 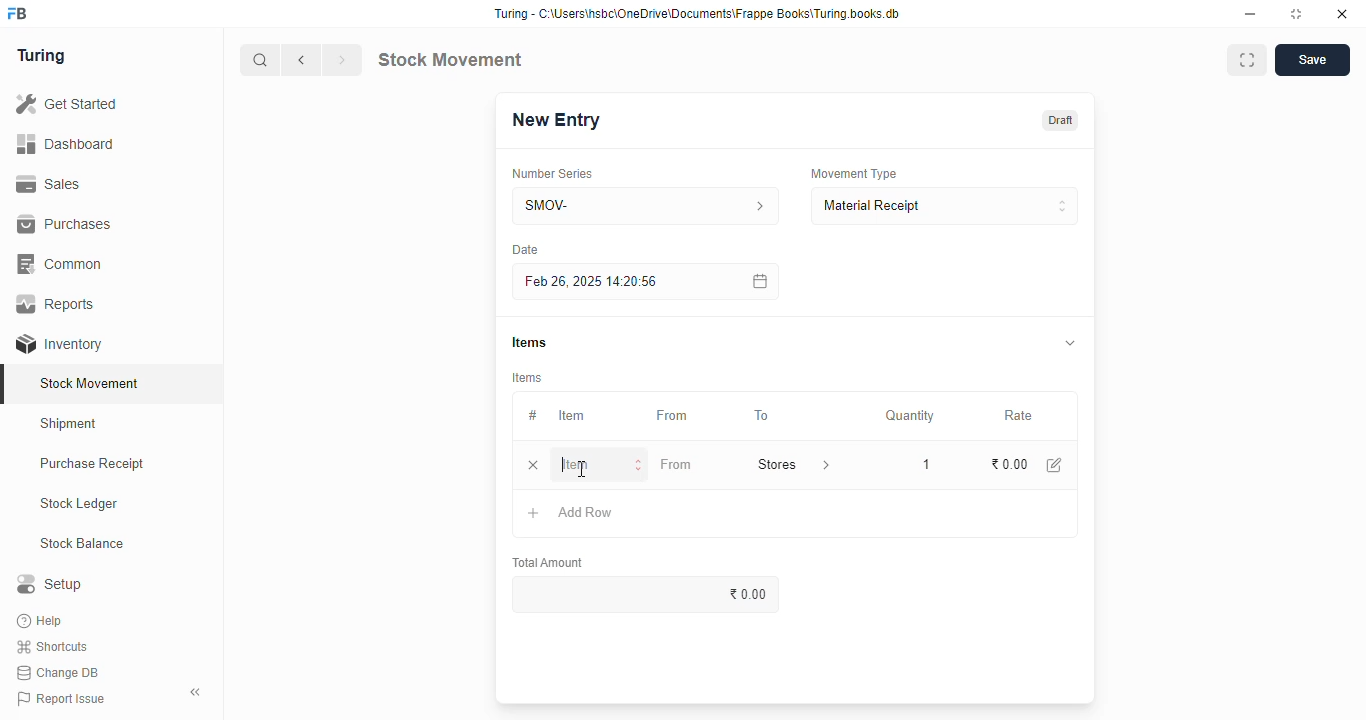 What do you see at coordinates (91, 383) in the screenshot?
I see `stock movement` at bounding box center [91, 383].